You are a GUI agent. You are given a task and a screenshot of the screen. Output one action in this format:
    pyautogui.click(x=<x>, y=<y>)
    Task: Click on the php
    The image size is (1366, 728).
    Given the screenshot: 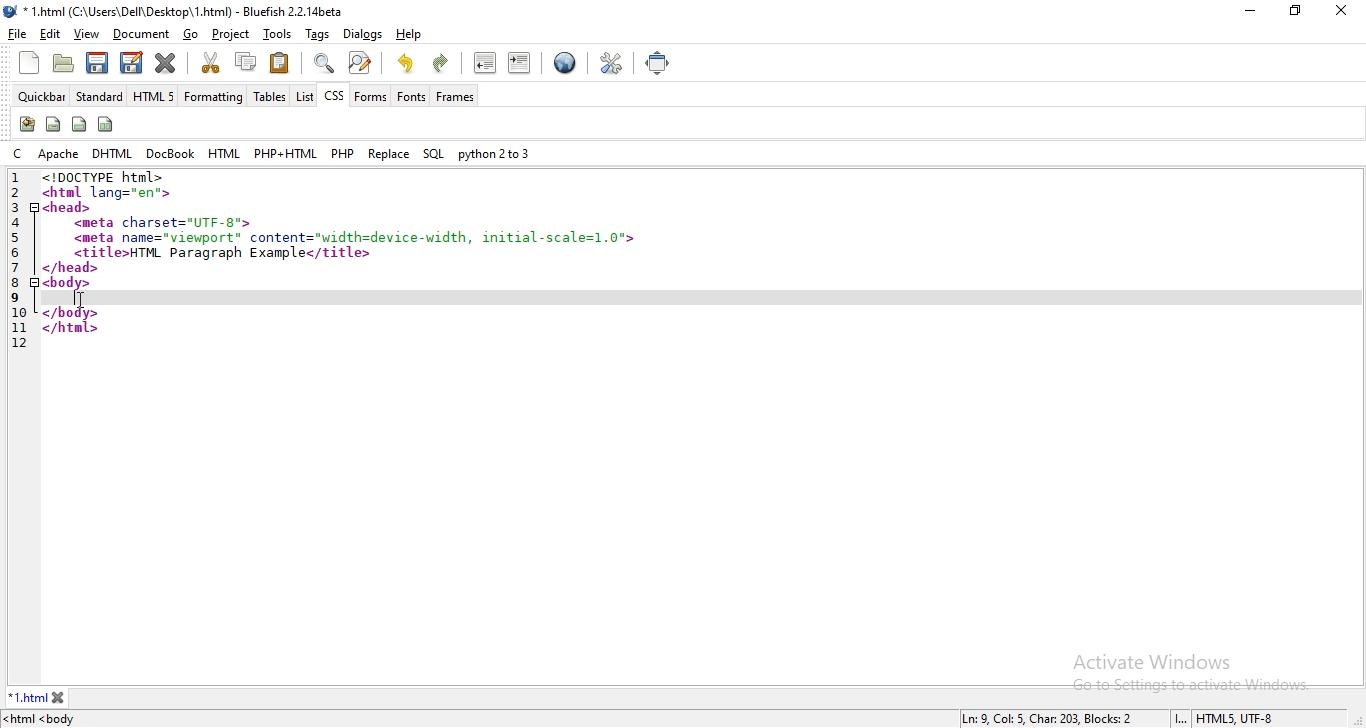 What is the action you would take?
    pyautogui.click(x=343, y=151)
    